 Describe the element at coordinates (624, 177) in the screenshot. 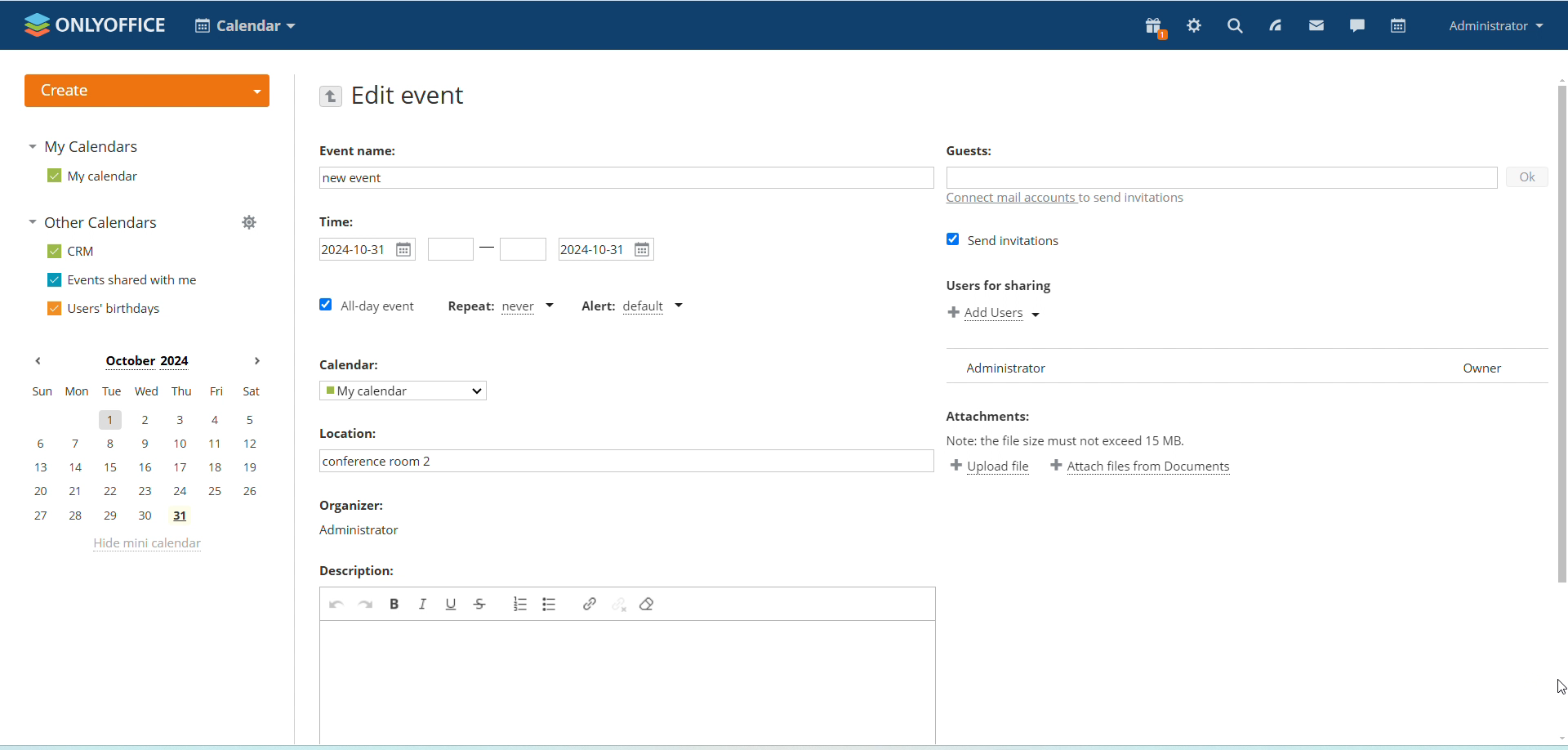

I see `edit event name` at that location.